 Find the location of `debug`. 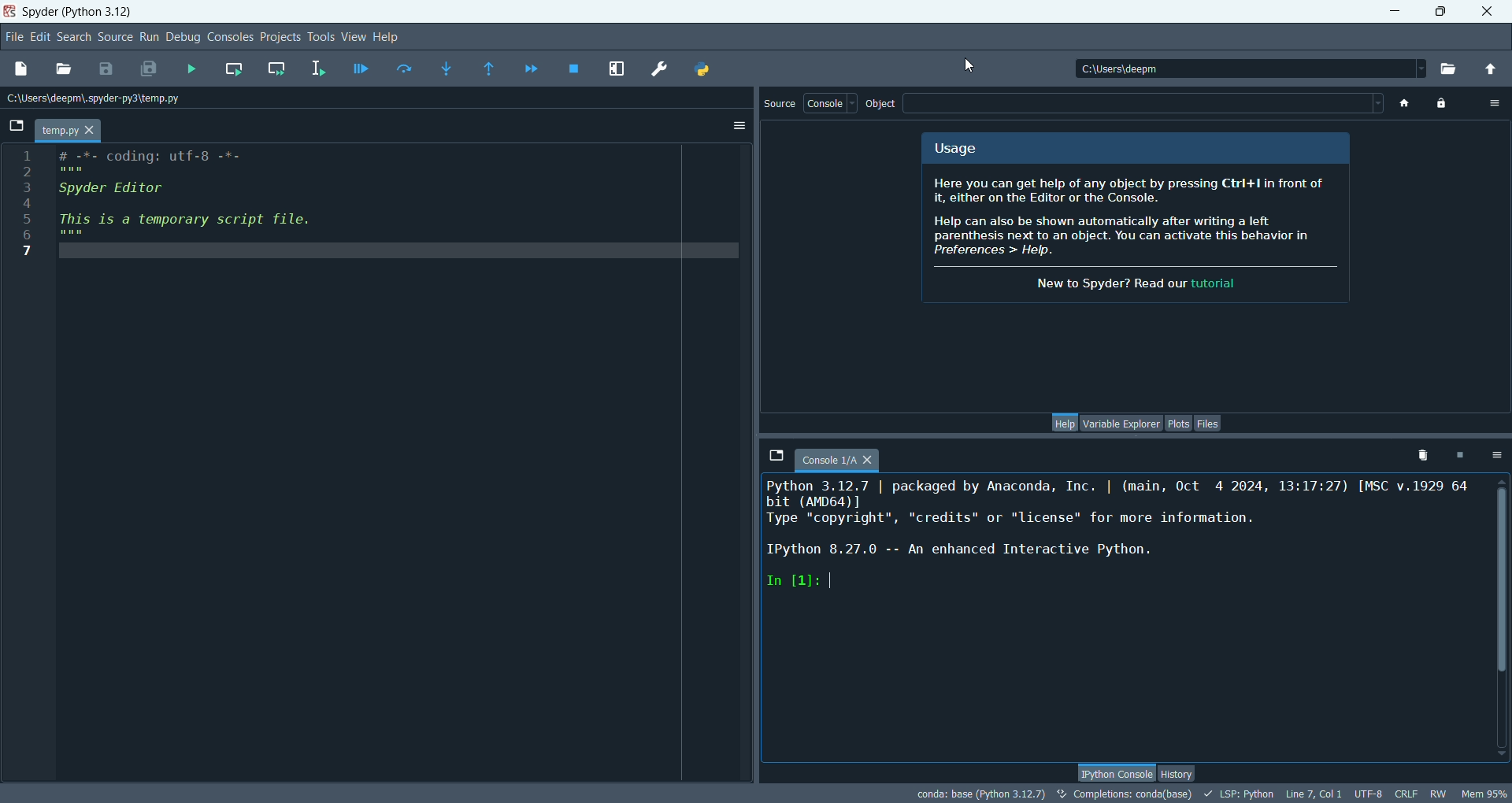

debug is located at coordinates (183, 39).